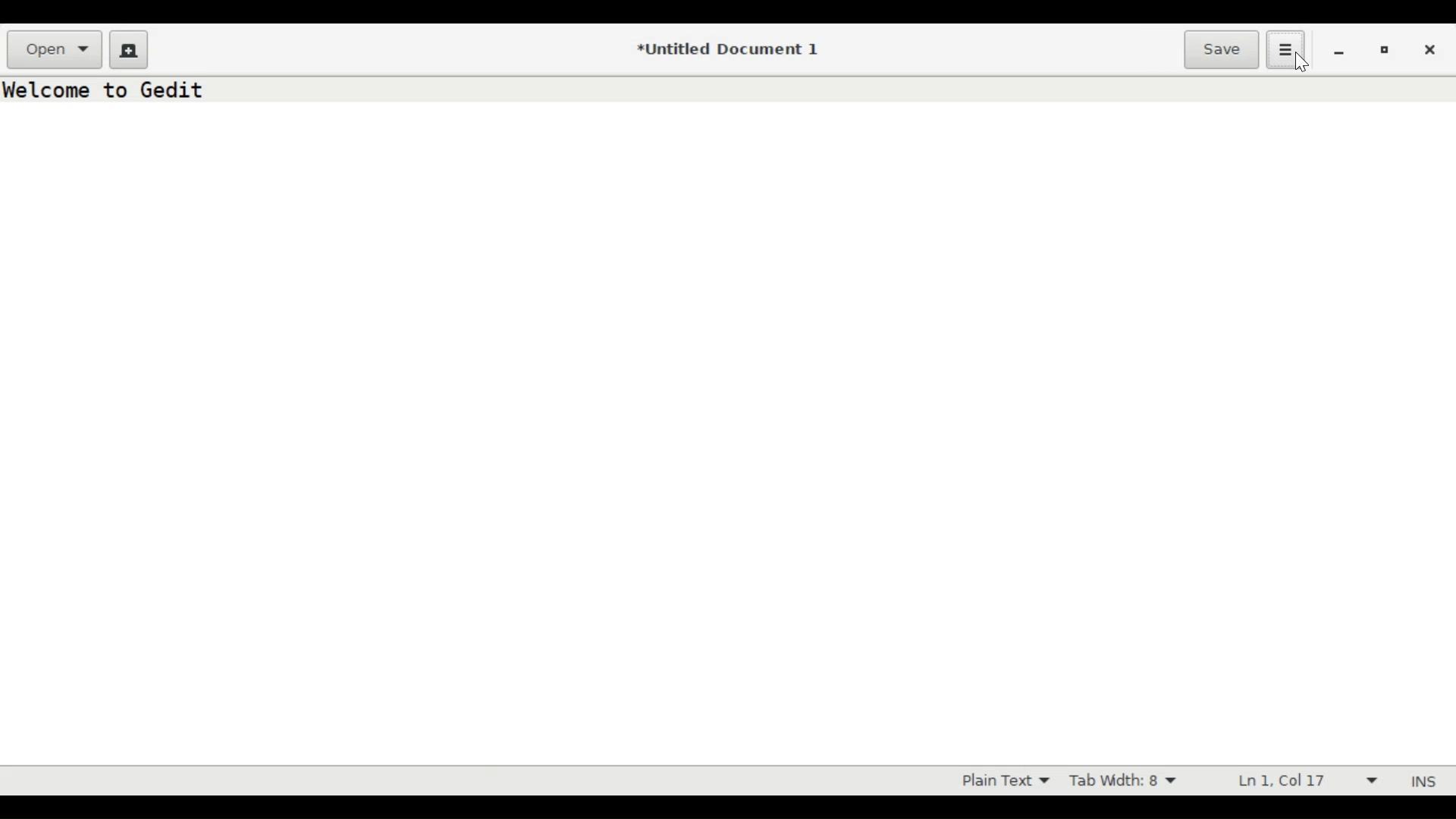 This screenshot has width=1456, height=819. Describe the element at coordinates (1002, 781) in the screenshot. I see `Highlight mode dropdown menu` at that location.